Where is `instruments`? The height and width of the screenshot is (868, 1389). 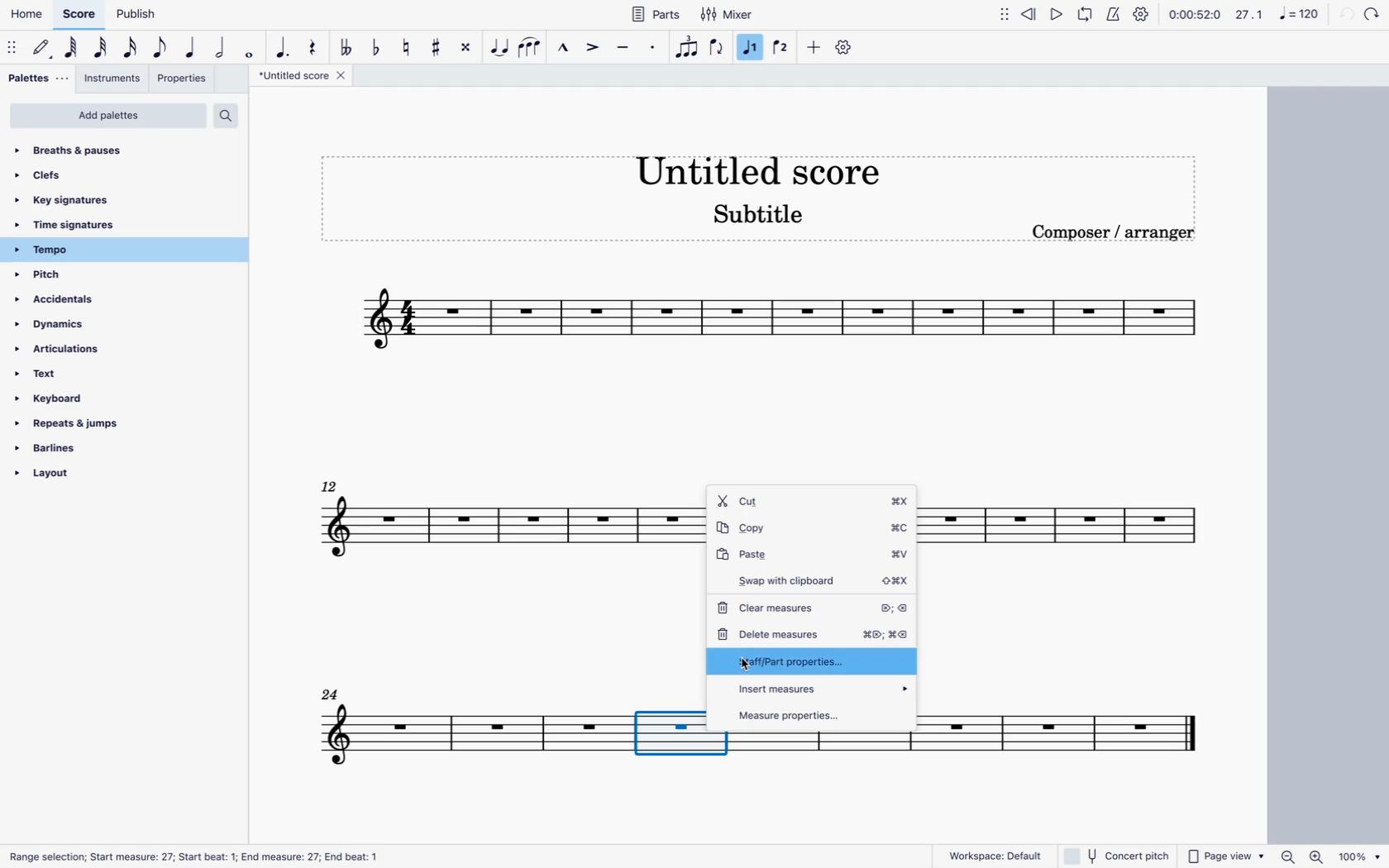 instruments is located at coordinates (115, 81).